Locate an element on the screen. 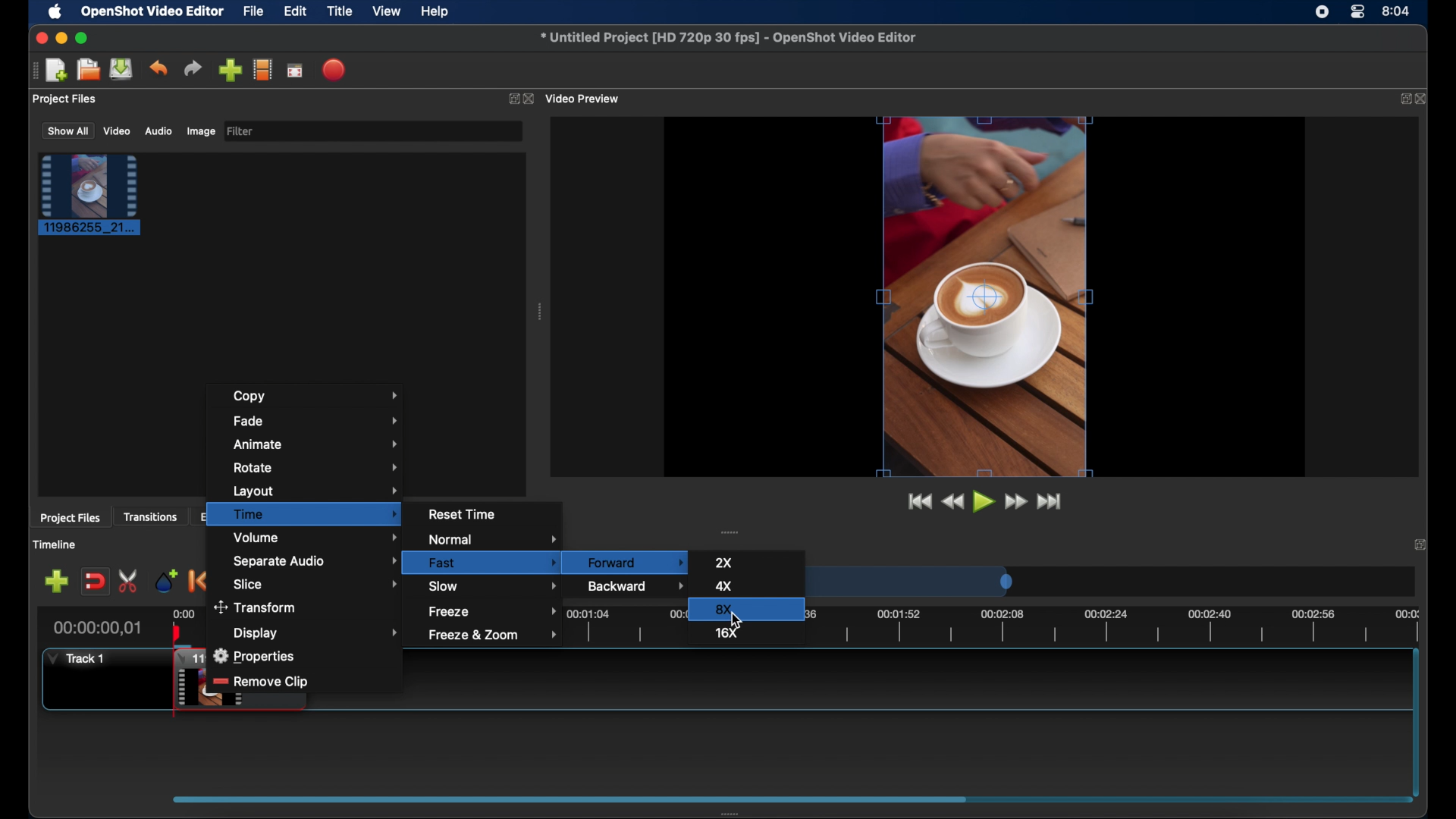  export video is located at coordinates (335, 70).